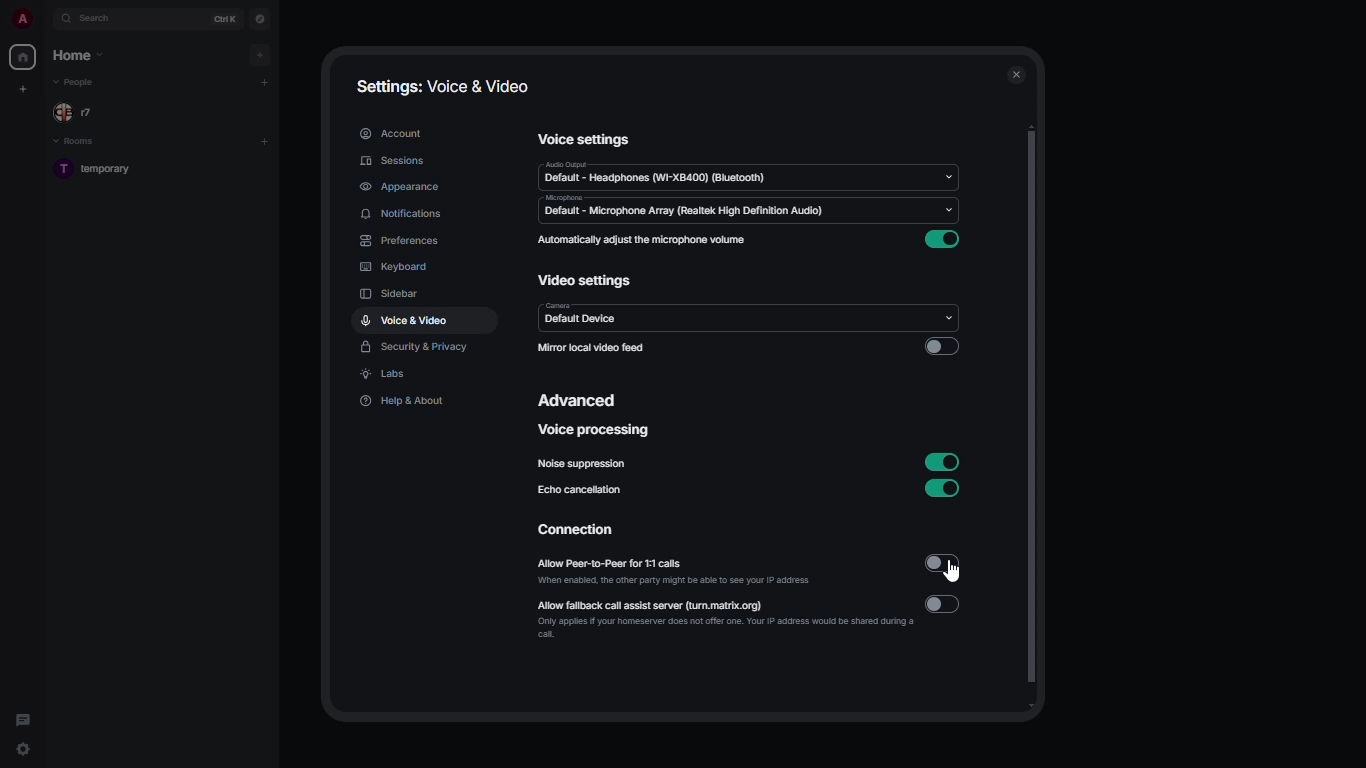 The width and height of the screenshot is (1366, 768). What do you see at coordinates (1039, 417) in the screenshot?
I see `scroll bar` at bounding box center [1039, 417].